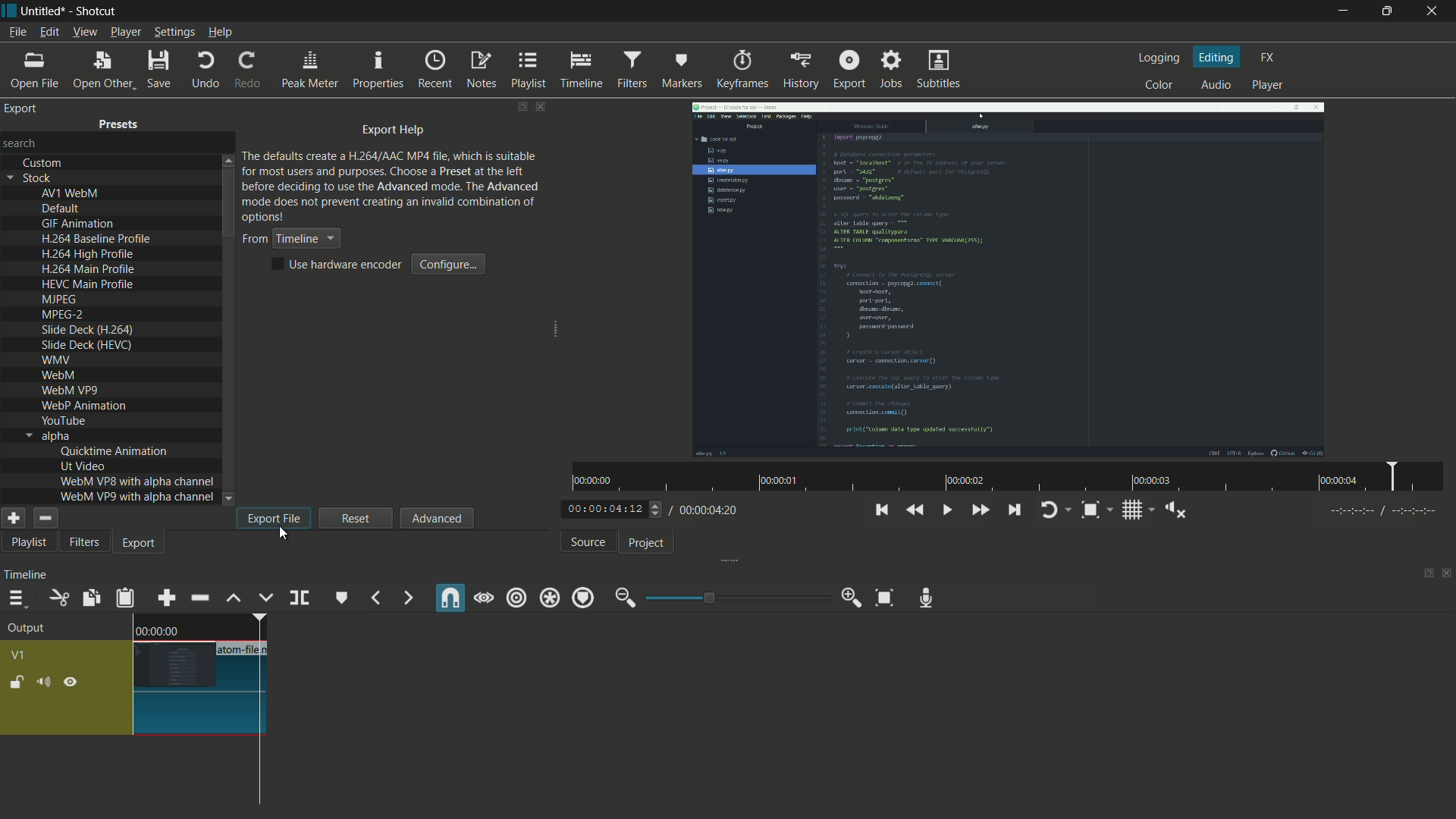 Image resolution: width=1456 pixels, height=819 pixels. I want to click on history, so click(803, 71).